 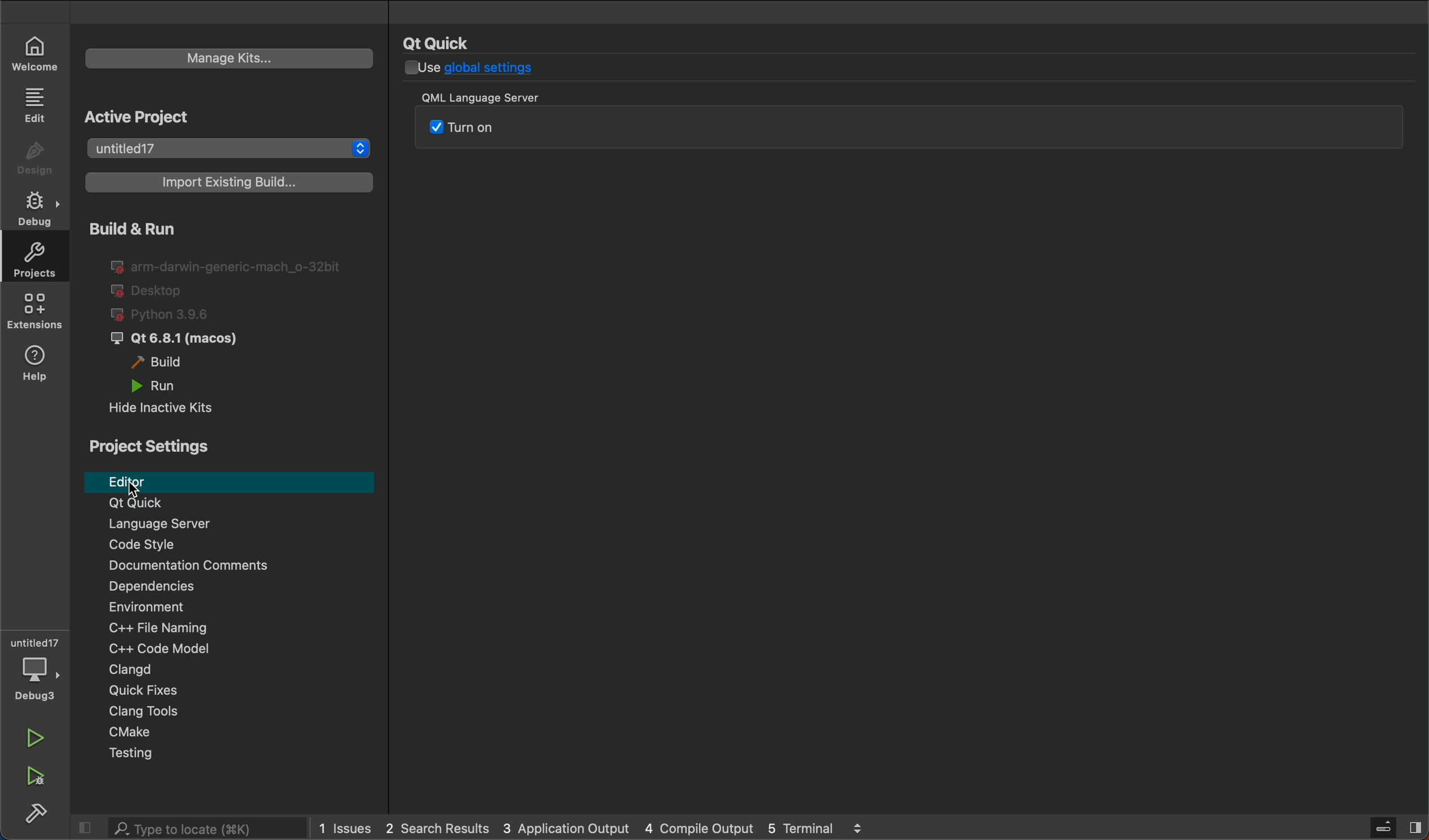 What do you see at coordinates (1384, 826) in the screenshot?
I see `Server` at bounding box center [1384, 826].